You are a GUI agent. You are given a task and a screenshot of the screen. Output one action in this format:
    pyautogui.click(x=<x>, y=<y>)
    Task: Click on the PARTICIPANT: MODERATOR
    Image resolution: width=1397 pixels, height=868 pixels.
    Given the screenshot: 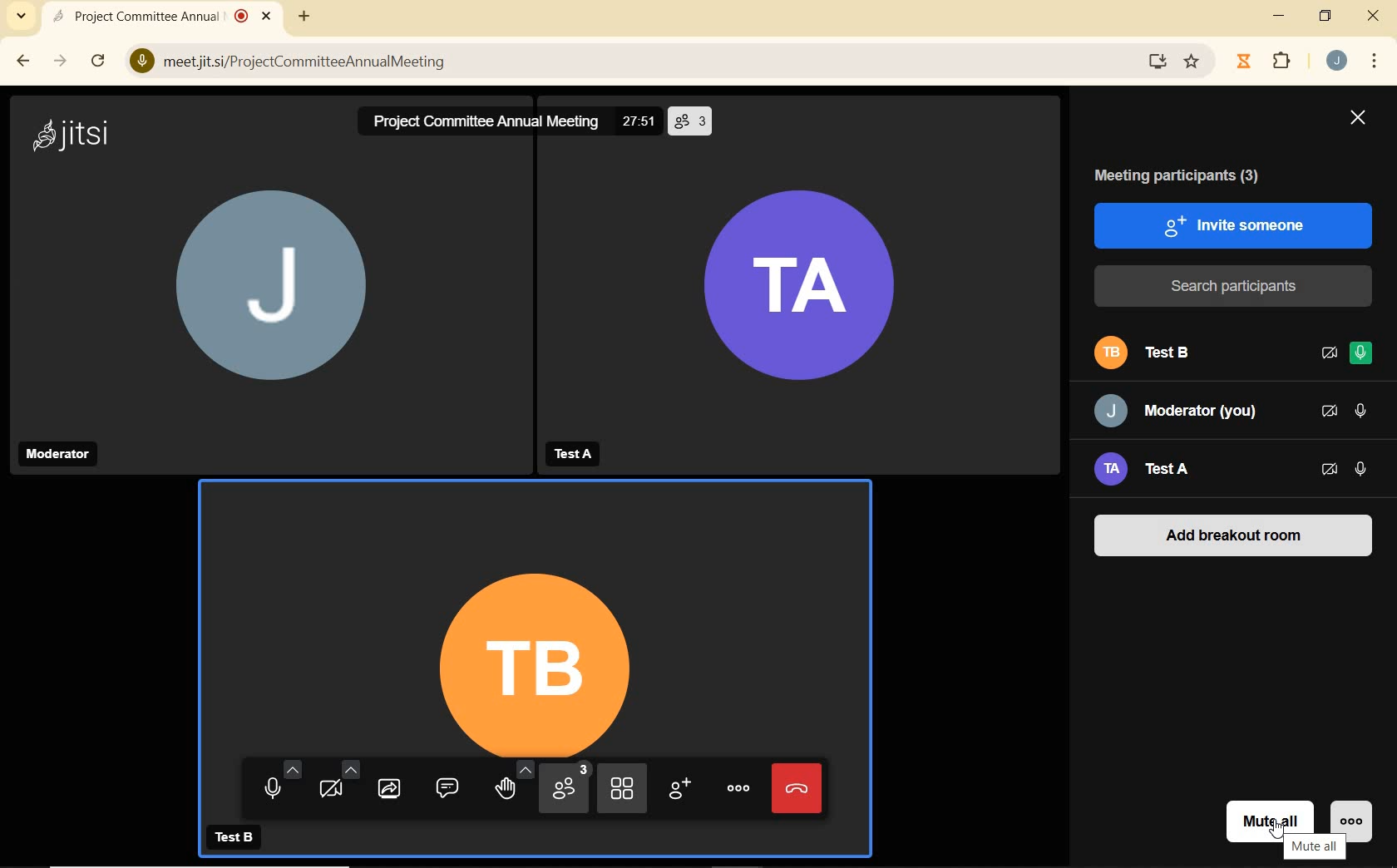 What is the action you would take?
    pyautogui.click(x=1178, y=412)
    